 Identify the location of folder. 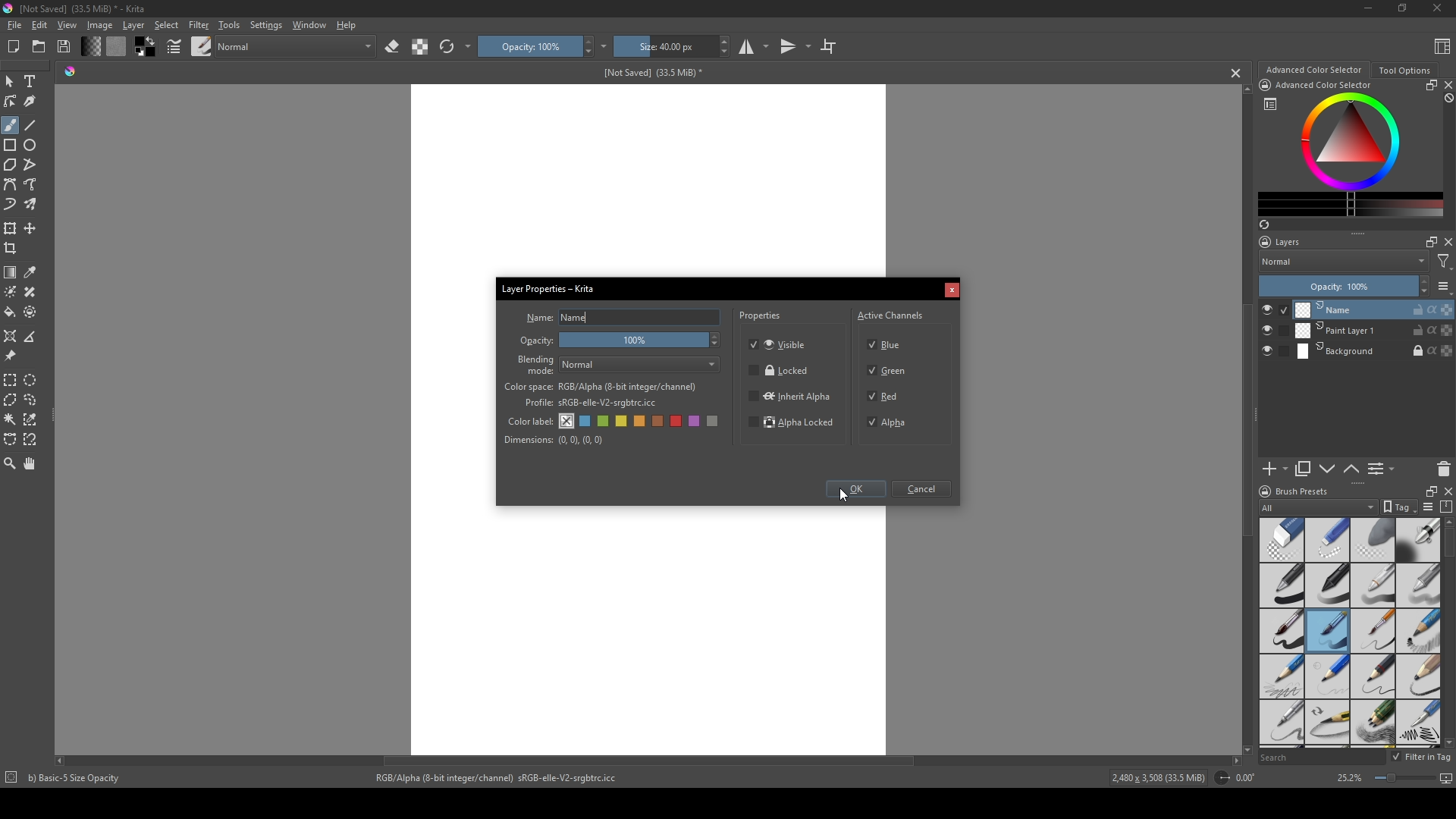
(39, 47).